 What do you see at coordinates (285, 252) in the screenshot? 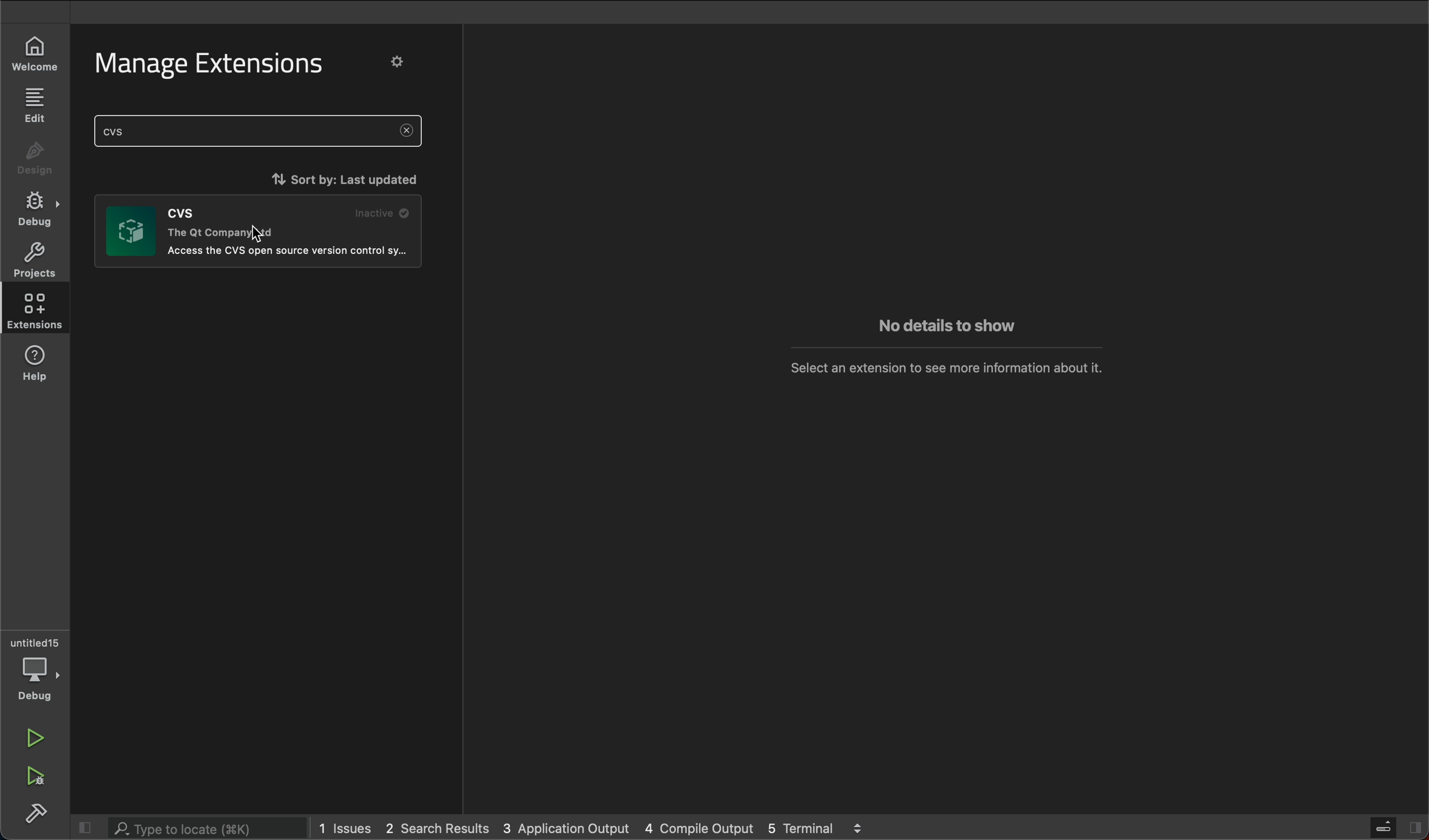
I see `extension text` at bounding box center [285, 252].